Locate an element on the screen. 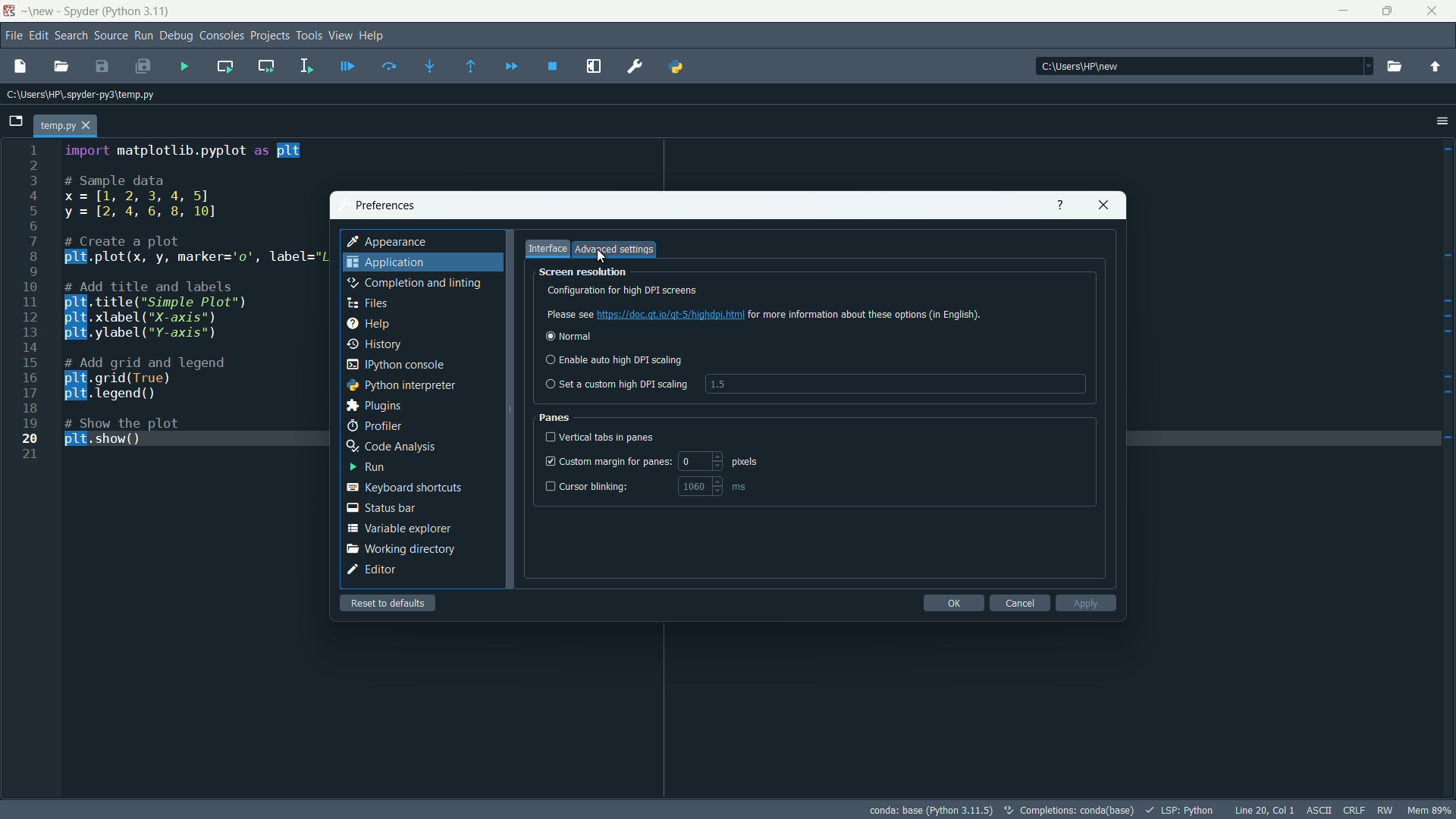  1.5 is located at coordinates (717, 385).